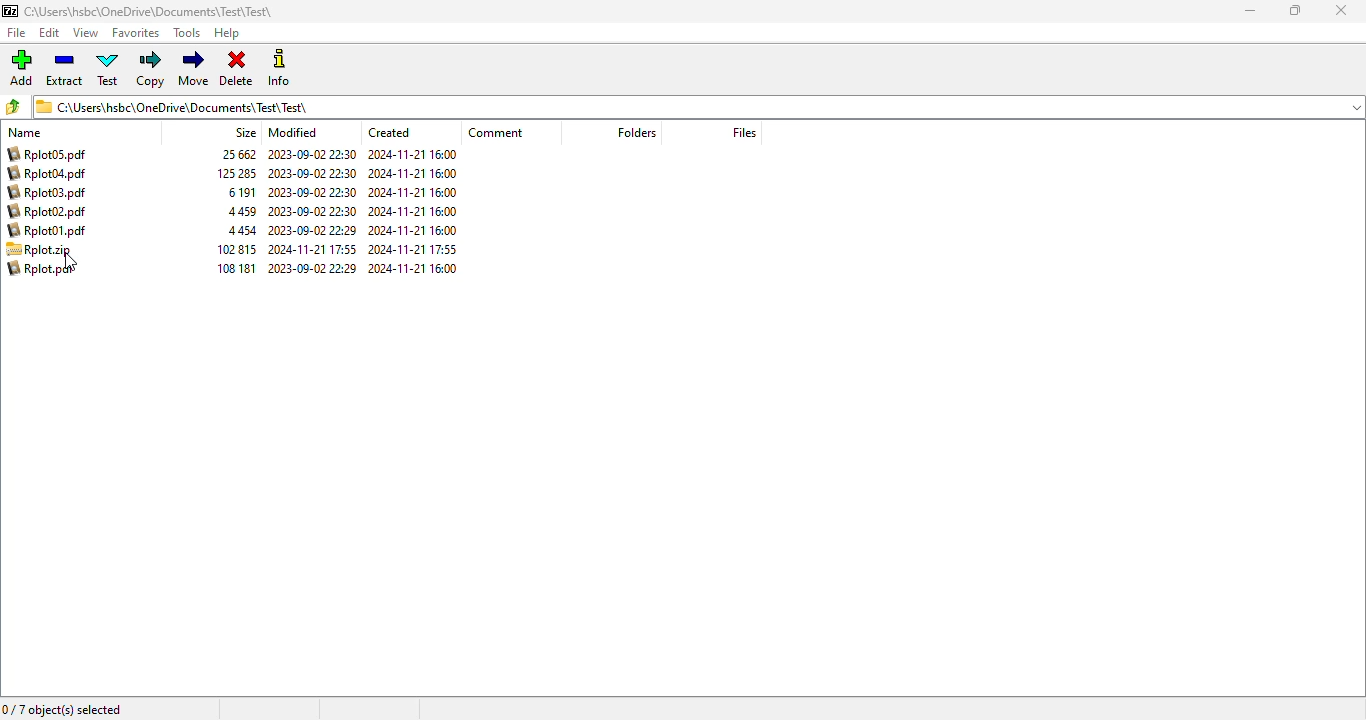 The width and height of the screenshot is (1366, 720). Describe the element at coordinates (236, 269) in the screenshot. I see `108181` at that location.